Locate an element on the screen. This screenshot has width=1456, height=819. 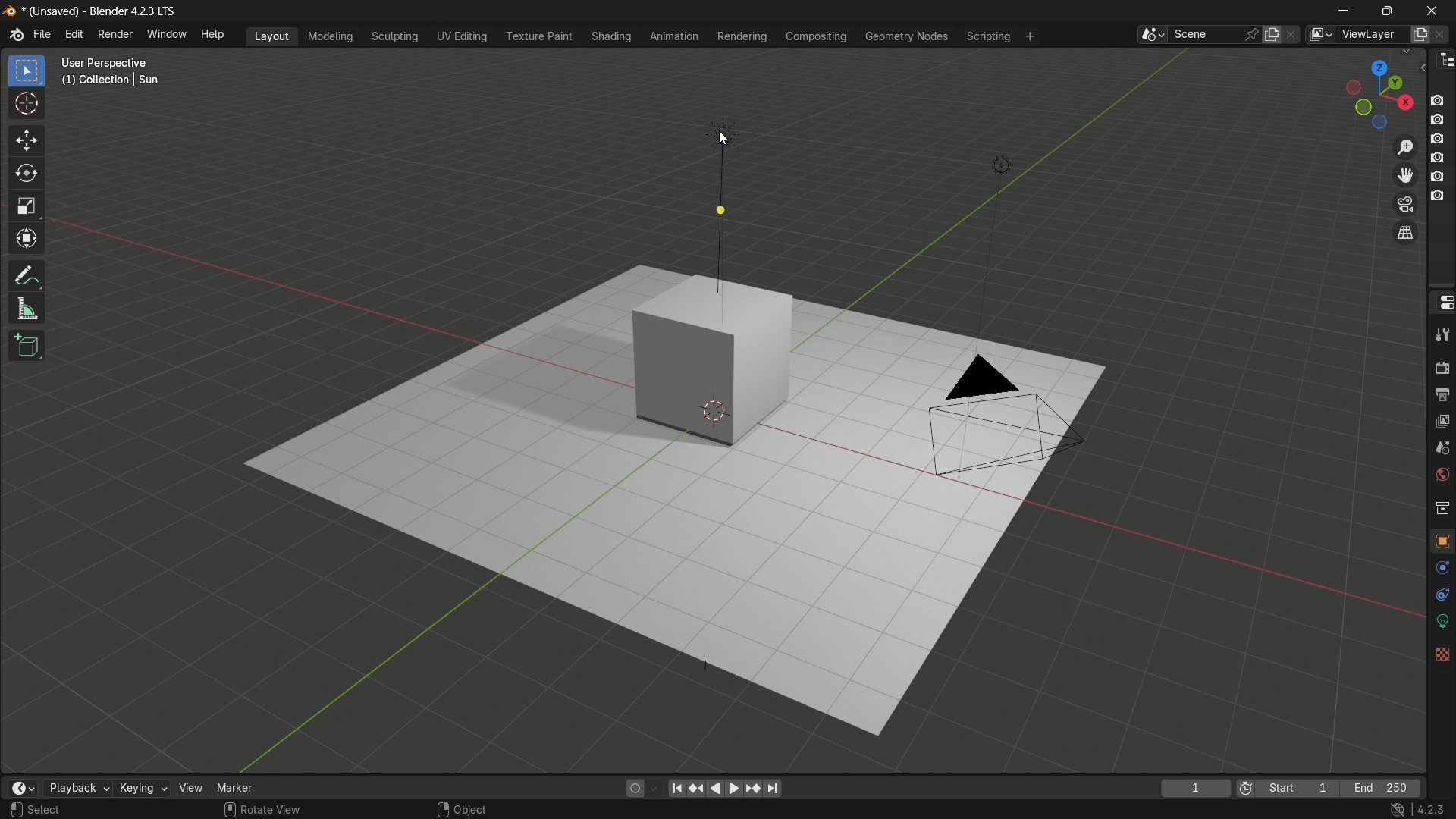
jump to endpoint is located at coordinates (677, 789).